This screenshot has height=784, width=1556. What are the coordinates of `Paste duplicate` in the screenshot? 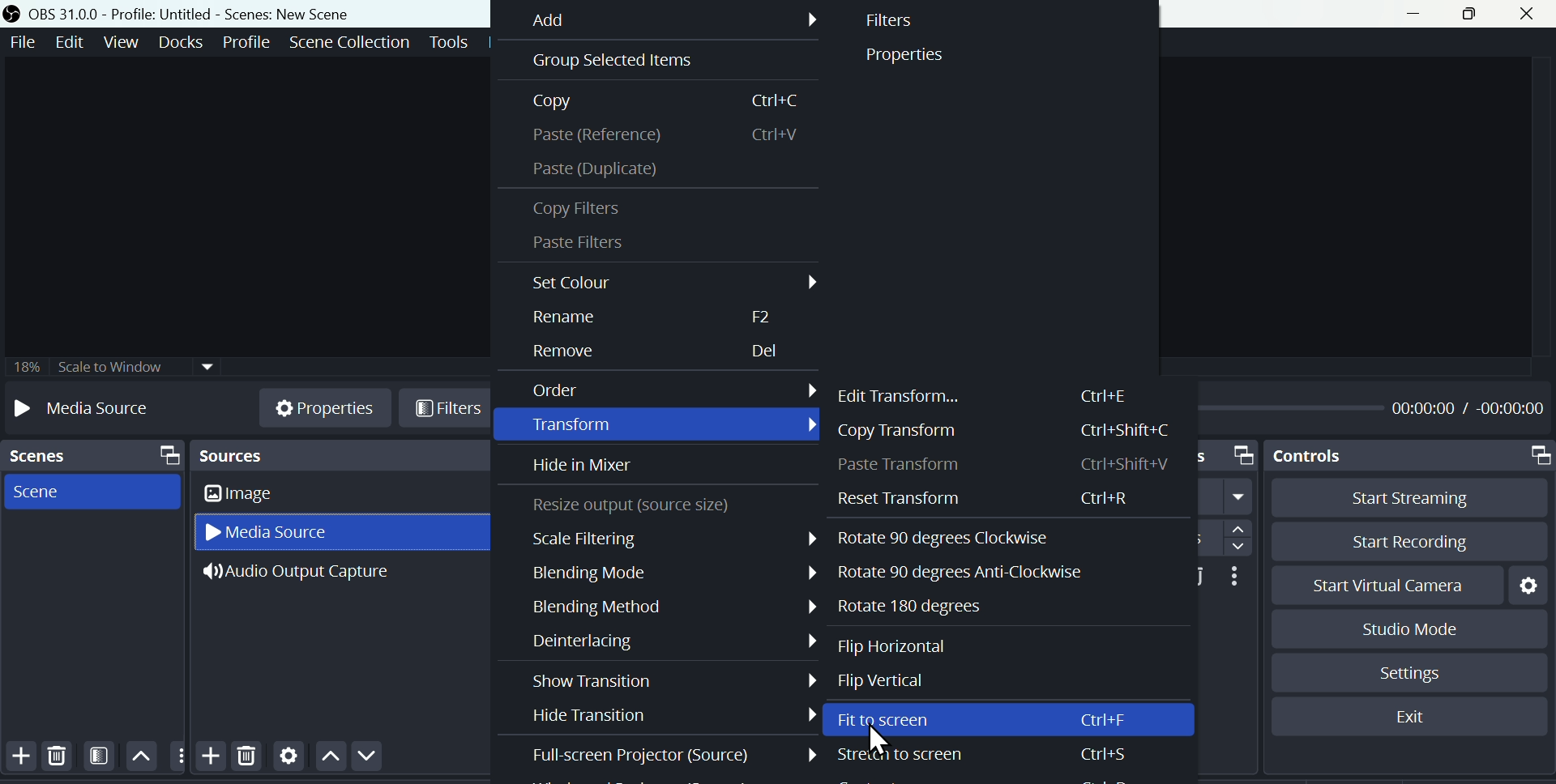 It's located at (605, 171).